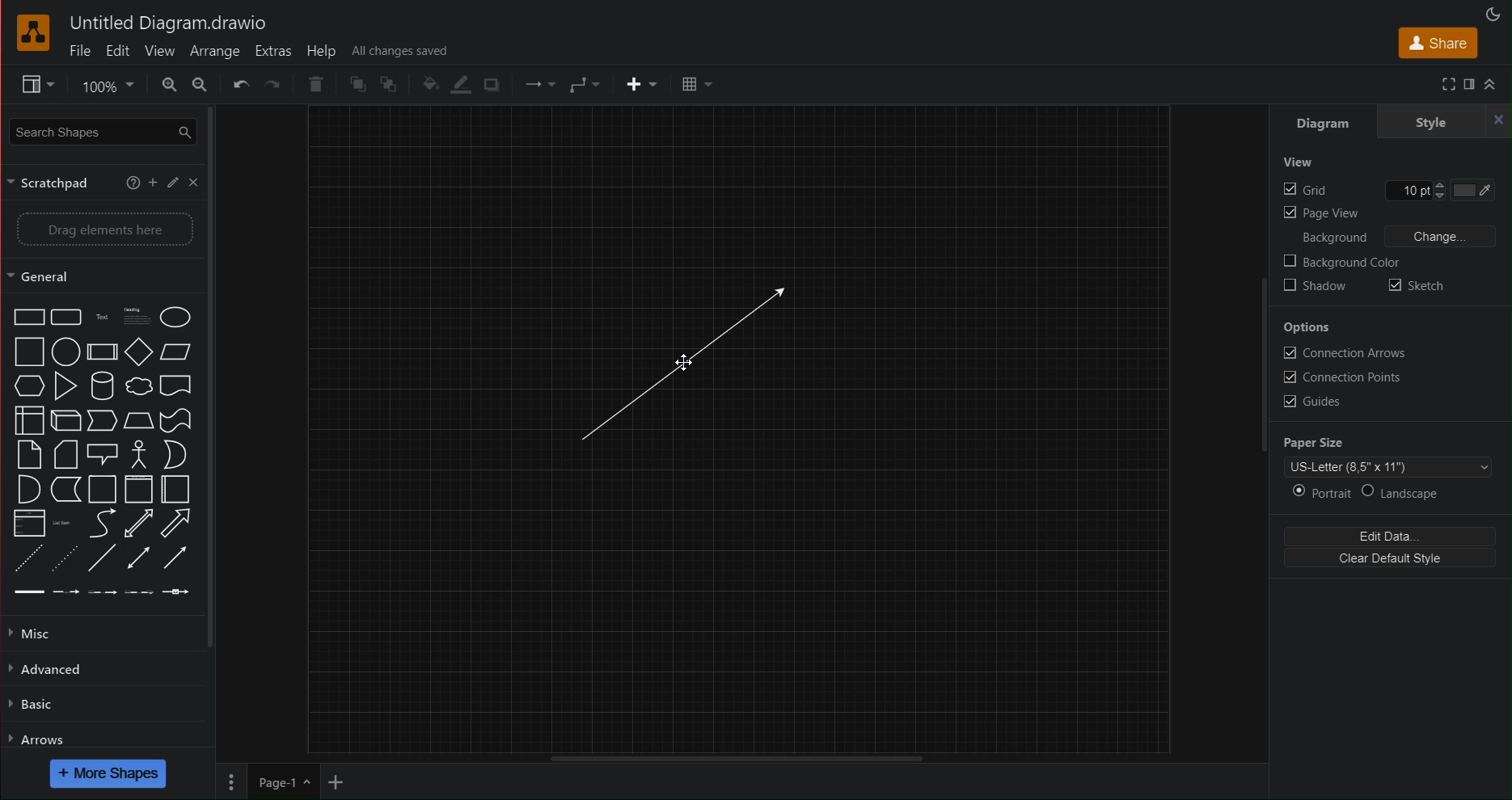  What do you see at coordinates (735, 756) in the screenshot?
I see `page limit` at bounding box center [735, 756].